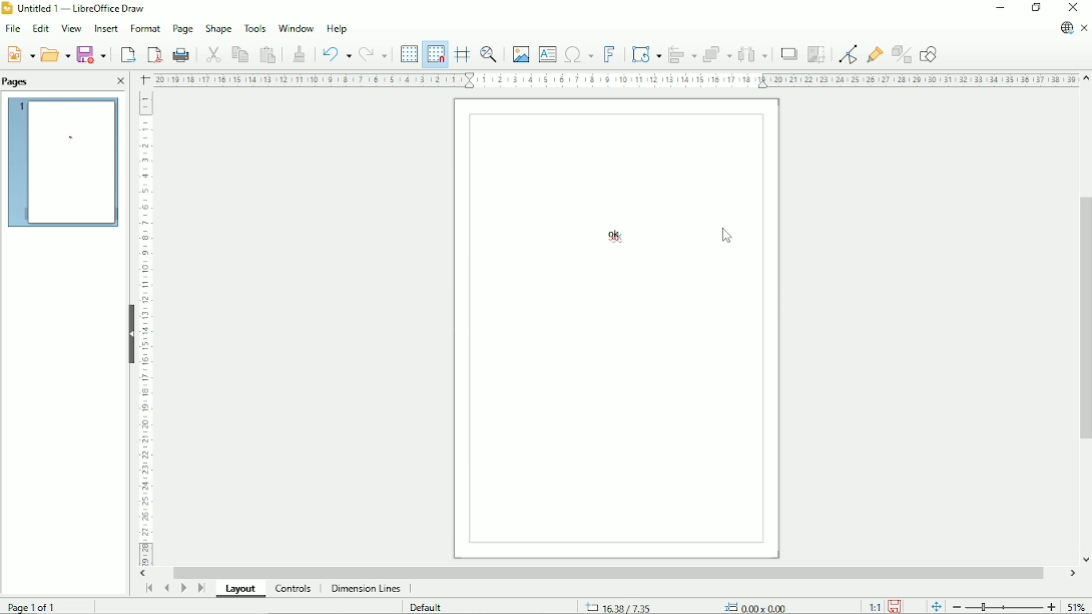  I want to click on Cut, so click(214, 54).